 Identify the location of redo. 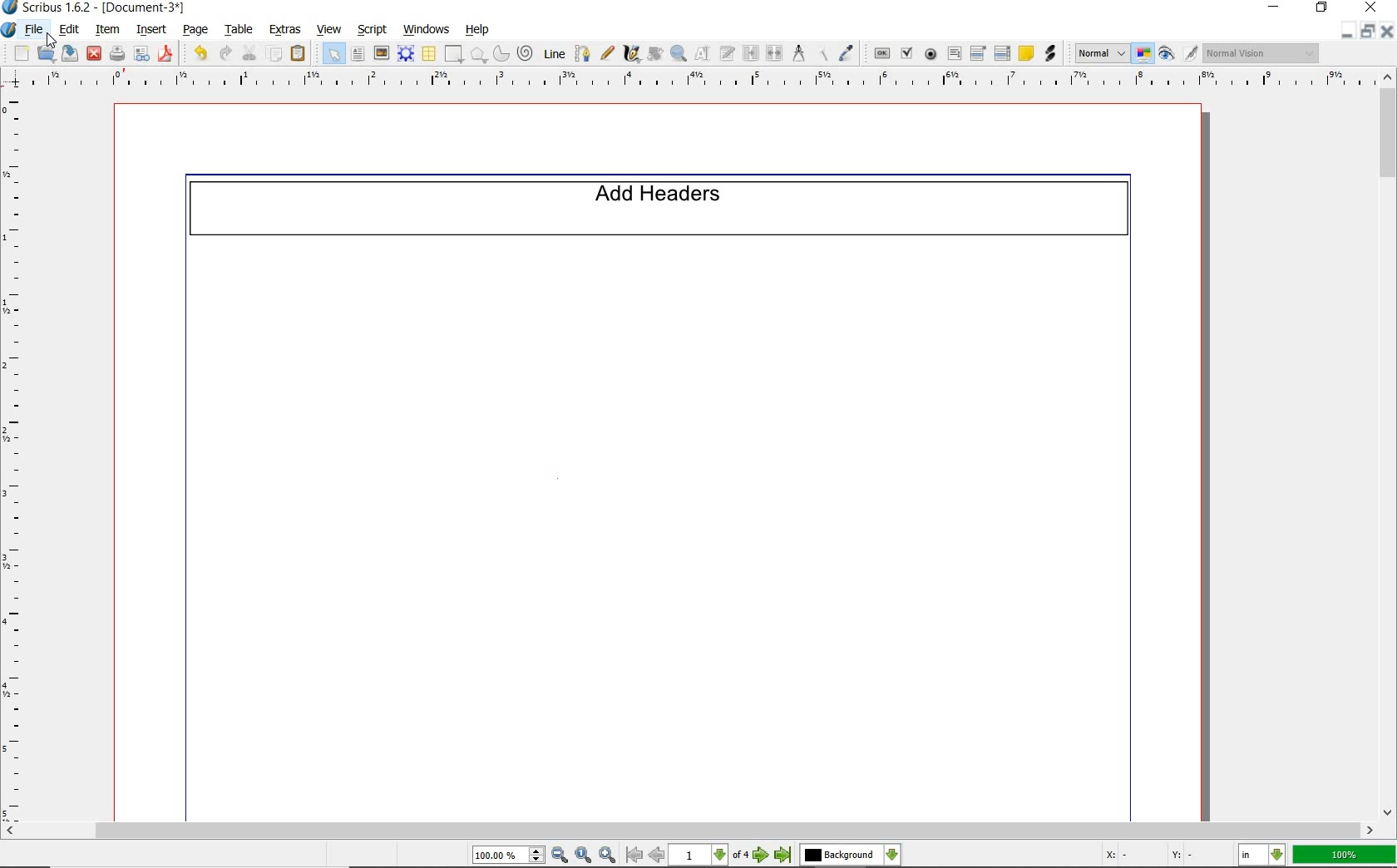
(225, 54).